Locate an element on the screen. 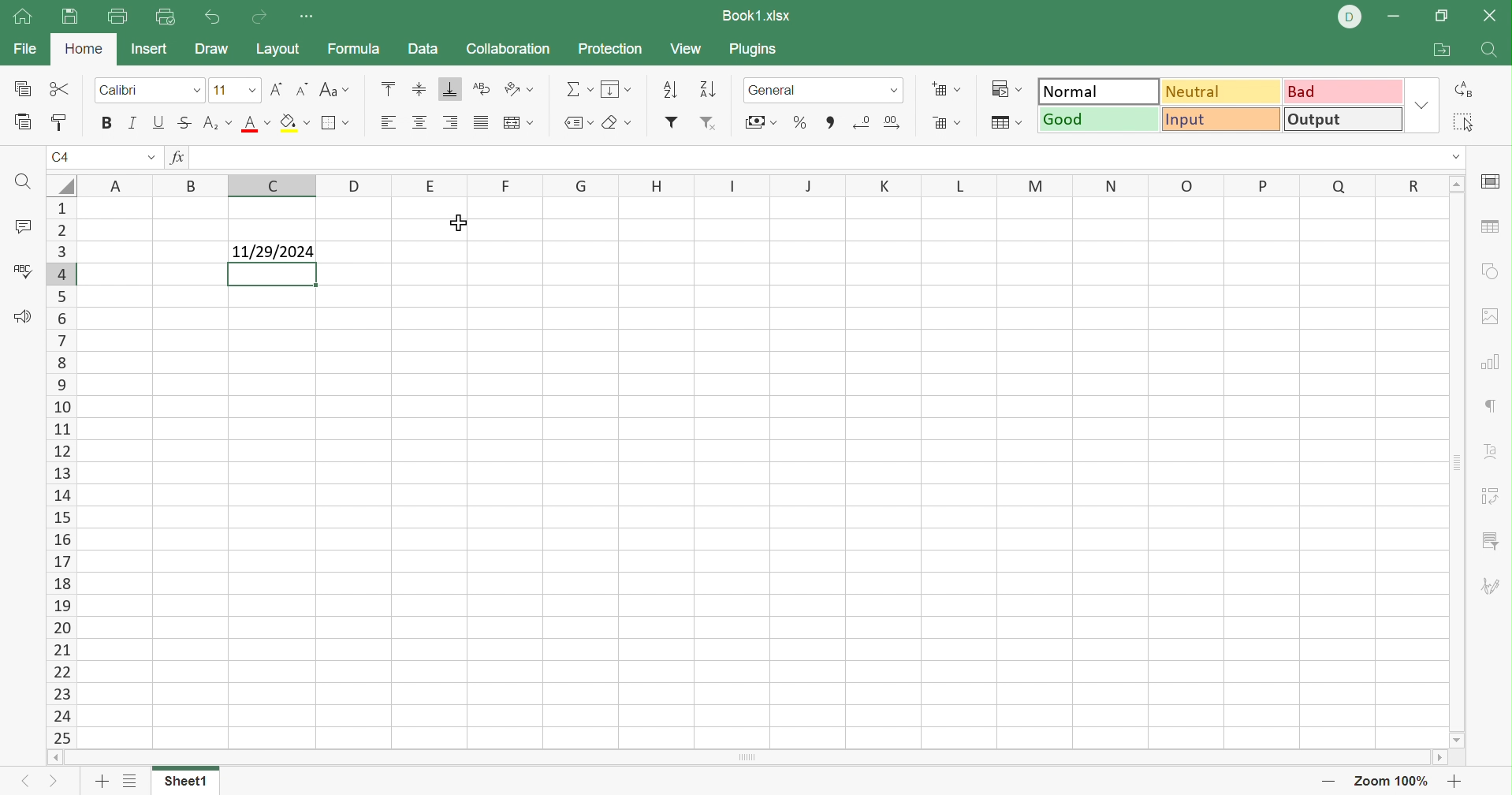 The image size is (1512, 795). Comment is located at coordinates (23, 227).